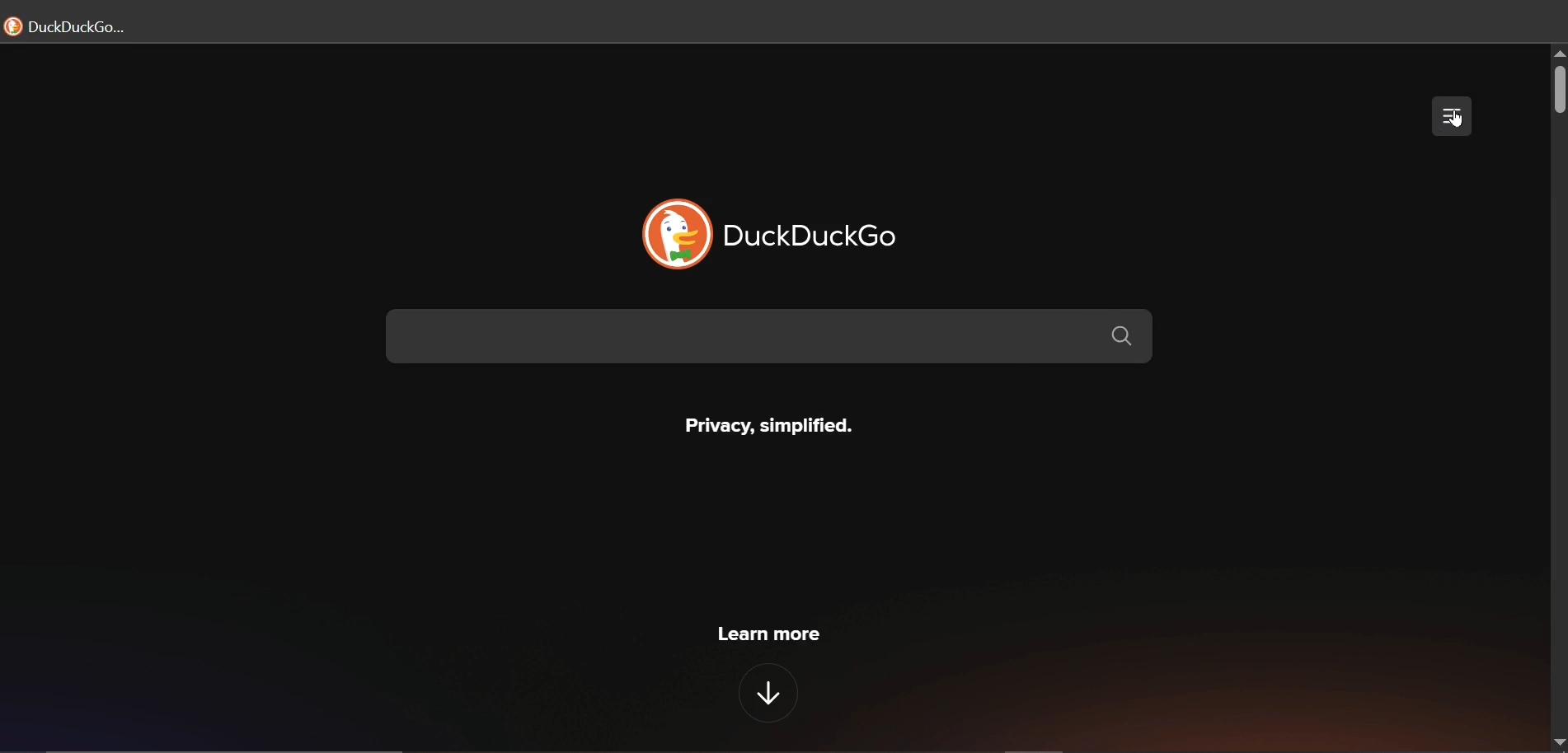 The width and height of the screenshot is (1568, 753). I want to click on learn more, so click(766, 634).